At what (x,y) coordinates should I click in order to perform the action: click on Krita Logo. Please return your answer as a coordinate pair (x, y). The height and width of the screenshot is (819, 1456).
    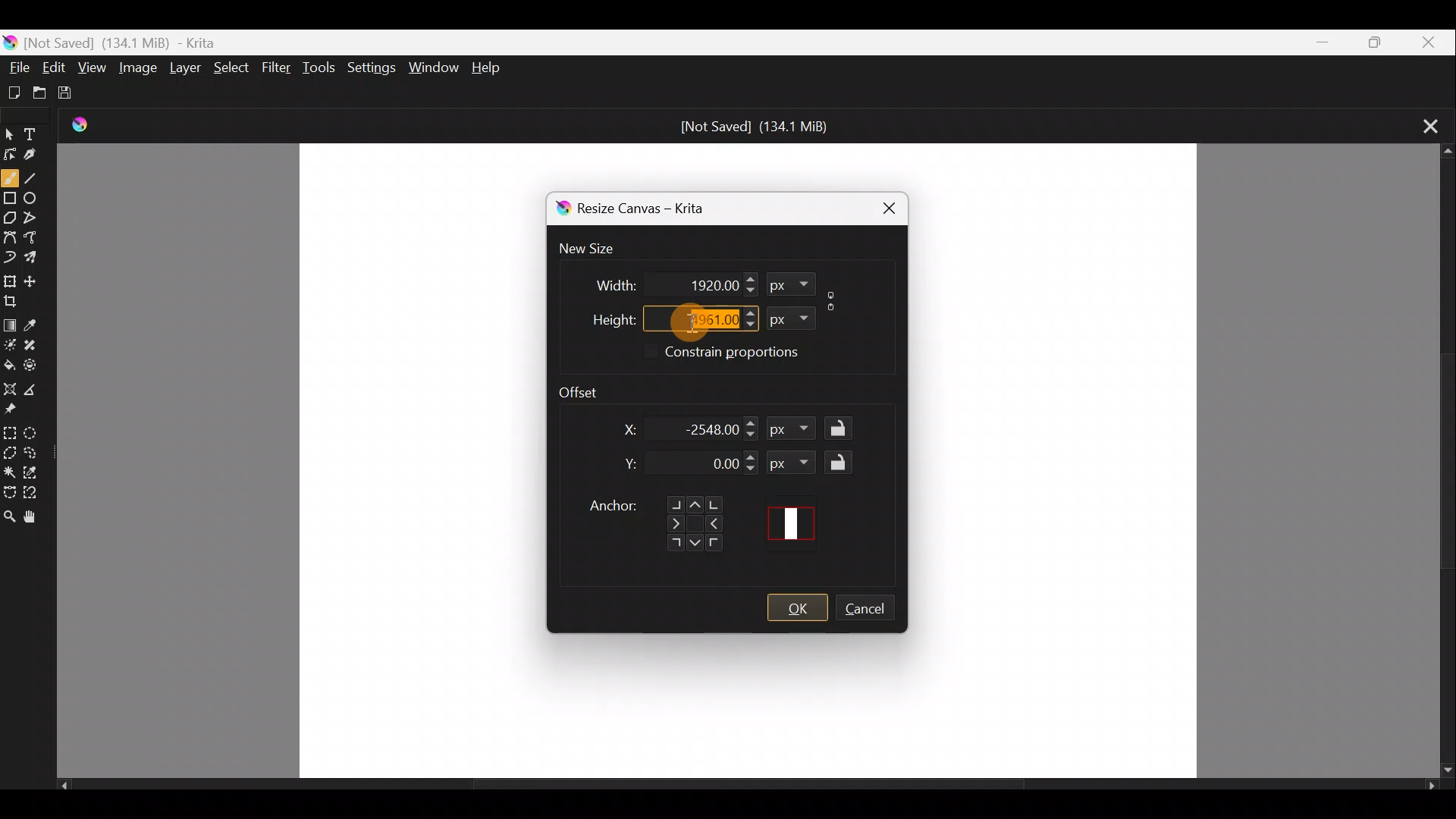
    Looking at the image, I should click on (11, 39).